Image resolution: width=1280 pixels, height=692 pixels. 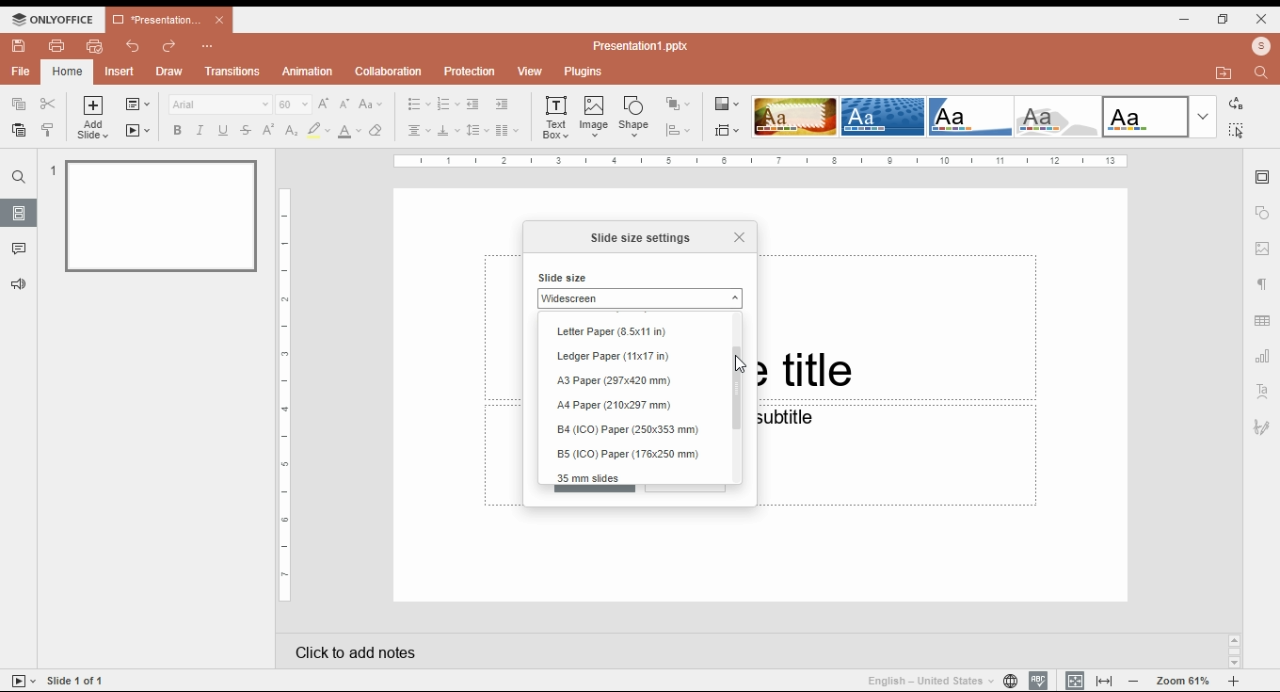 What do you see at coordinates (419, 104) in the screenshot?
I see `bullets` at bounding box center [419, 104].